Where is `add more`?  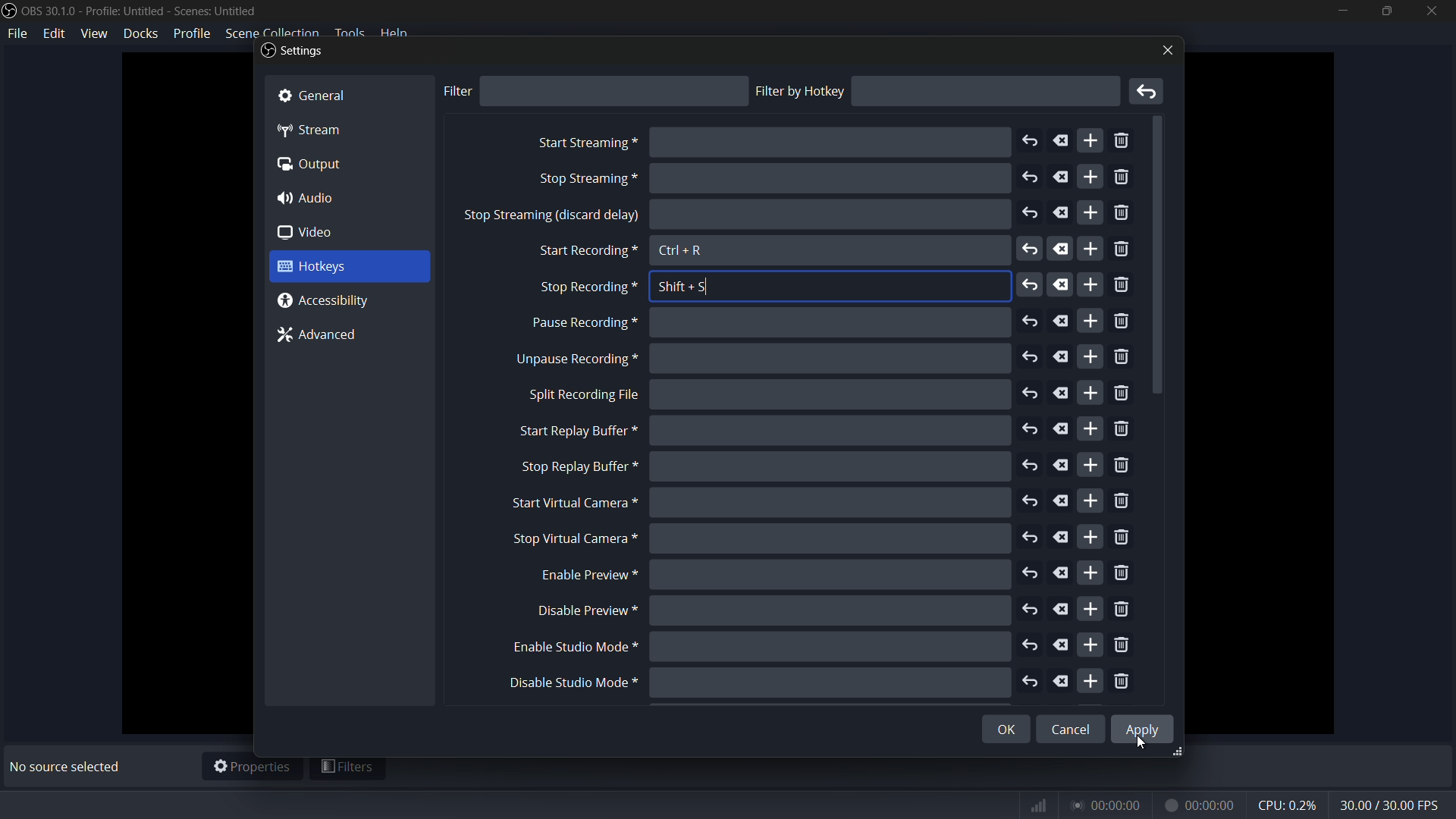
add more is located at coordinates (1093, 500).